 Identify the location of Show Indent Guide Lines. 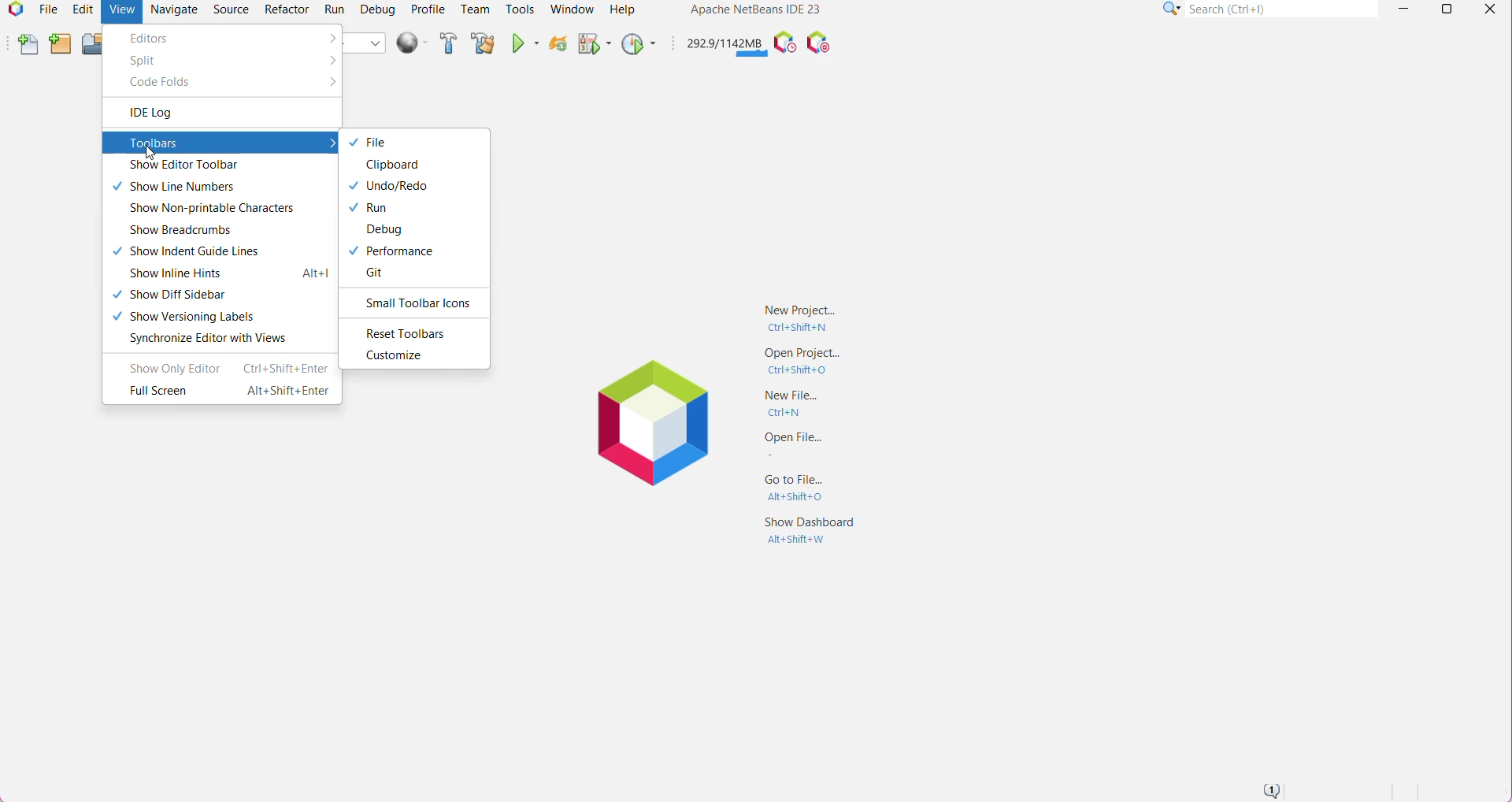
(198, 253).